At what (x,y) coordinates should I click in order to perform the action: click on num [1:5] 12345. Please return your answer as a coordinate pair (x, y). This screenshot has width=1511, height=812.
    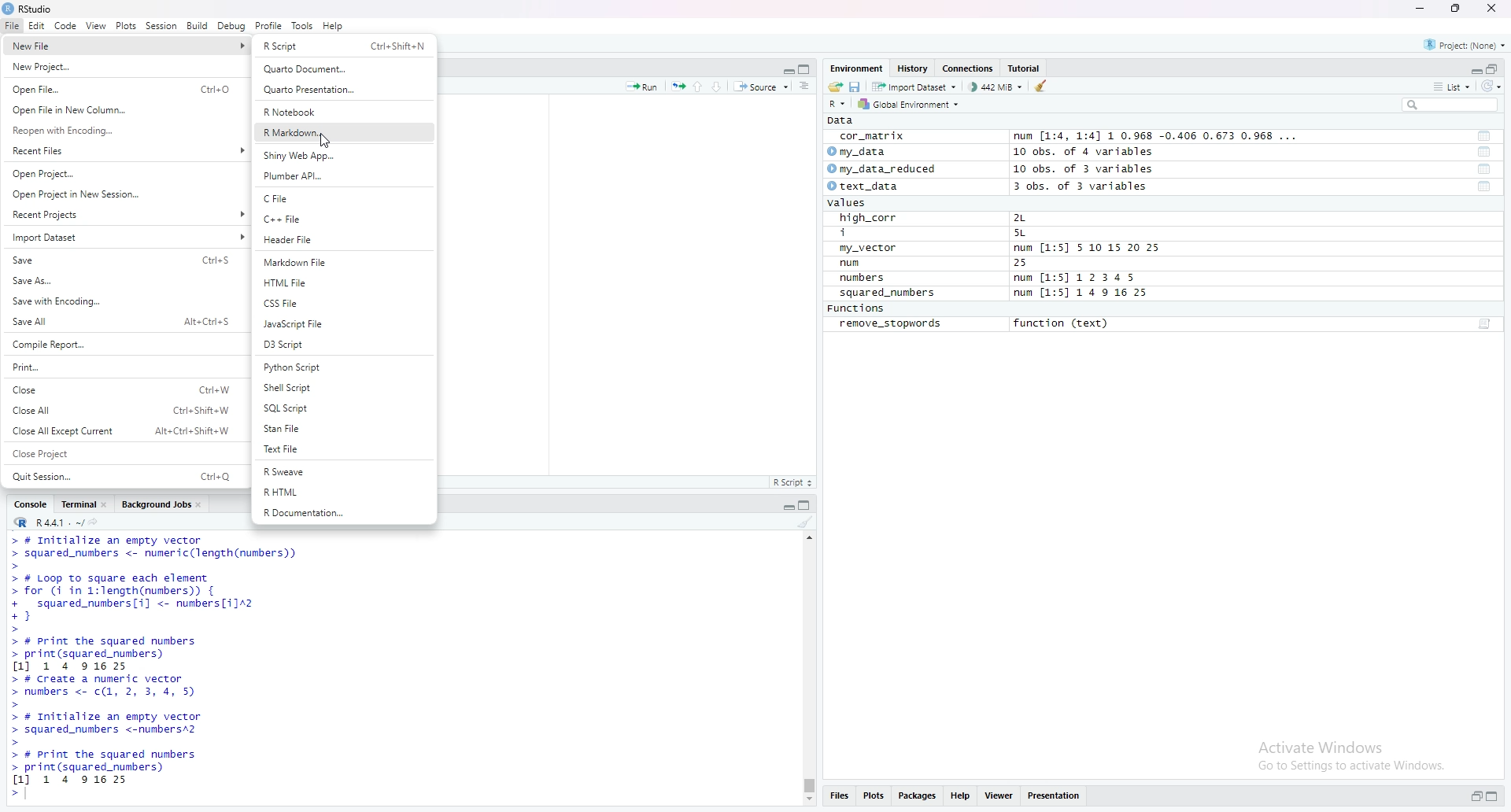
    Looking at the image, I should click on (1077, 278).